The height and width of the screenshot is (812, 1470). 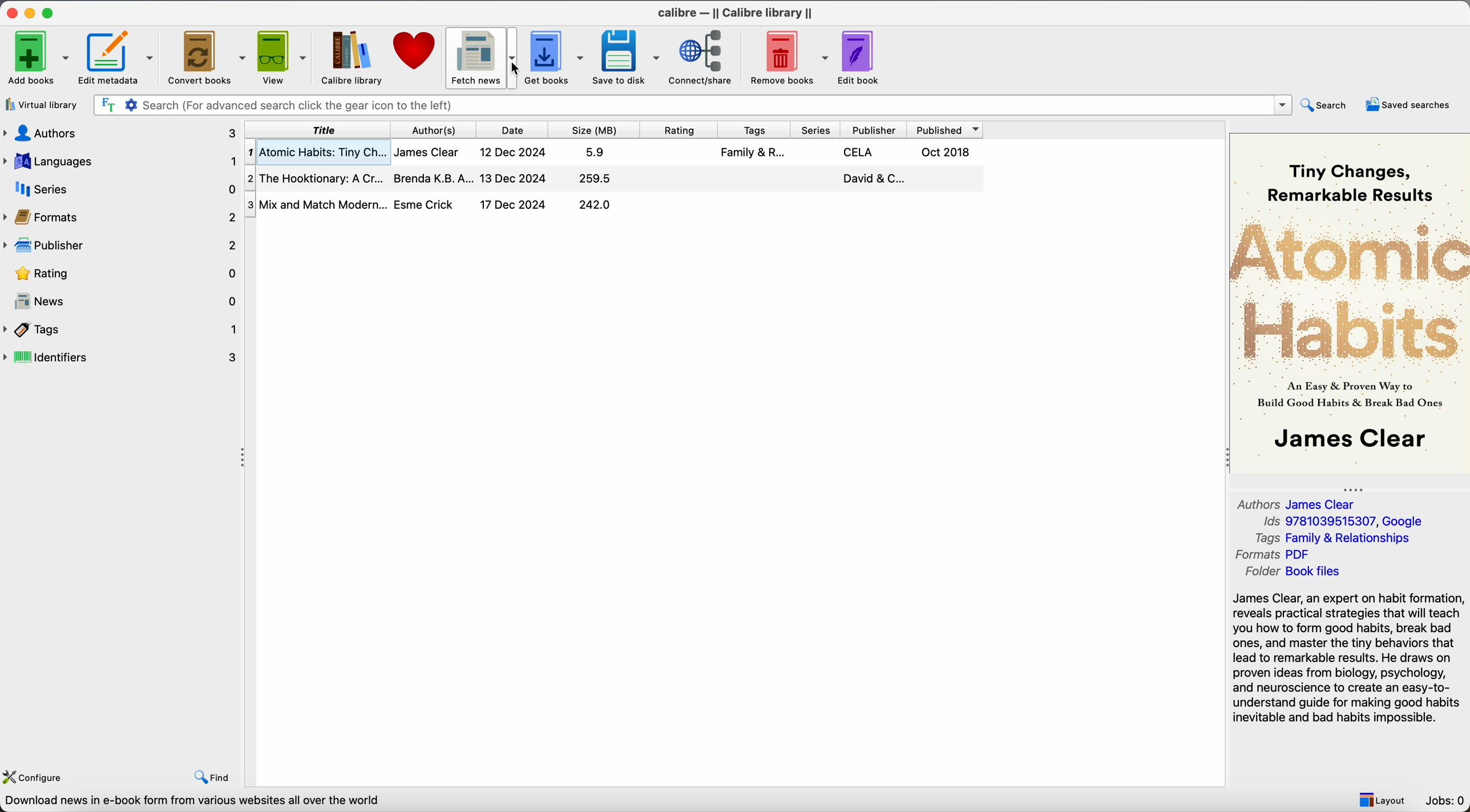 I want to click on formats, so click(x=119, y=216).